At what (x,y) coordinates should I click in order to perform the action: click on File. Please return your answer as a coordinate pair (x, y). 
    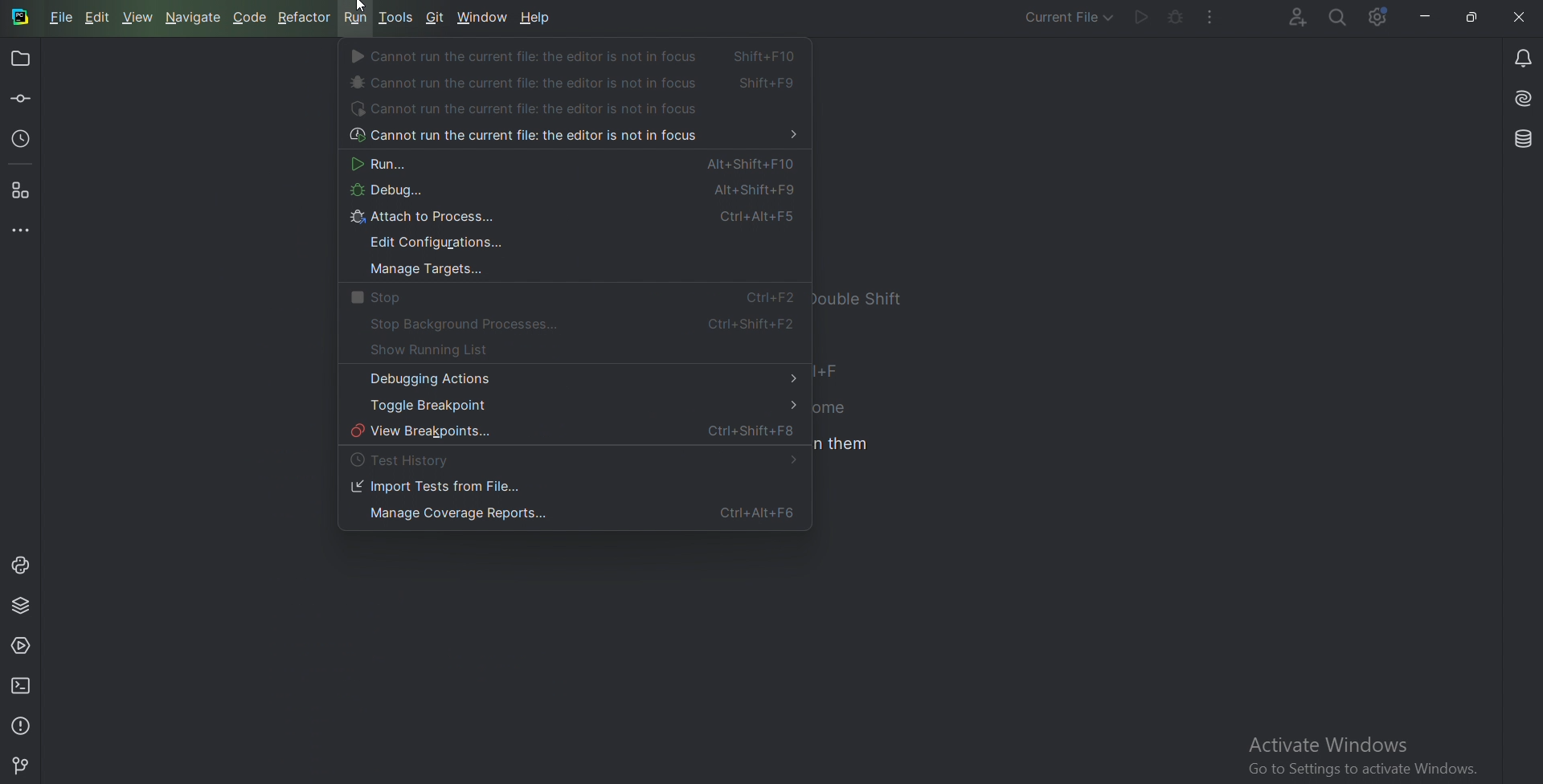
    Looking at the image, I should click on (62, 16).